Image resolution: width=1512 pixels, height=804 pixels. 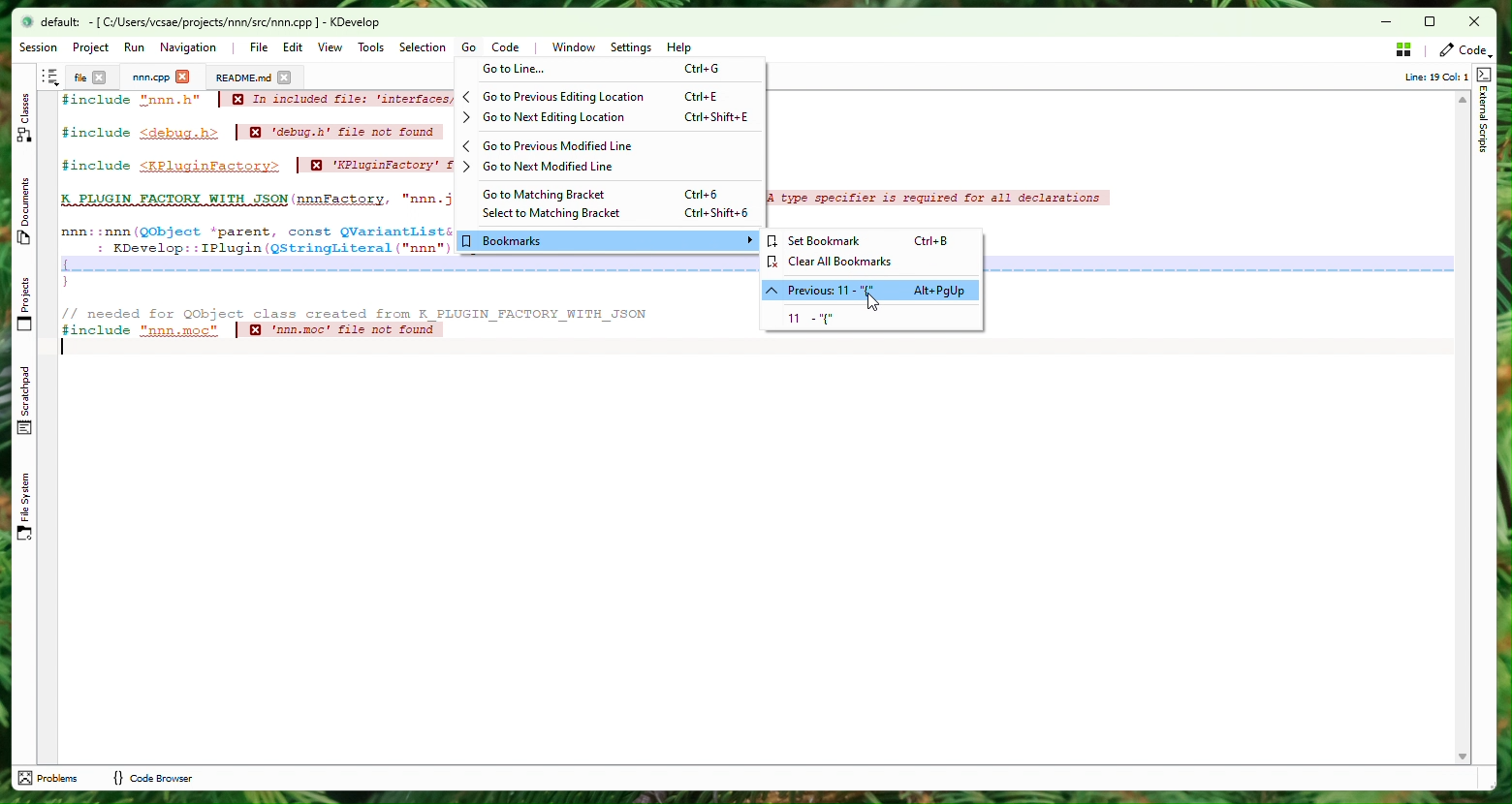 What do you see at coordinates (608, 96) in the screenshot?
I see `Go to previous editing location` at bounding box center [608, 96].